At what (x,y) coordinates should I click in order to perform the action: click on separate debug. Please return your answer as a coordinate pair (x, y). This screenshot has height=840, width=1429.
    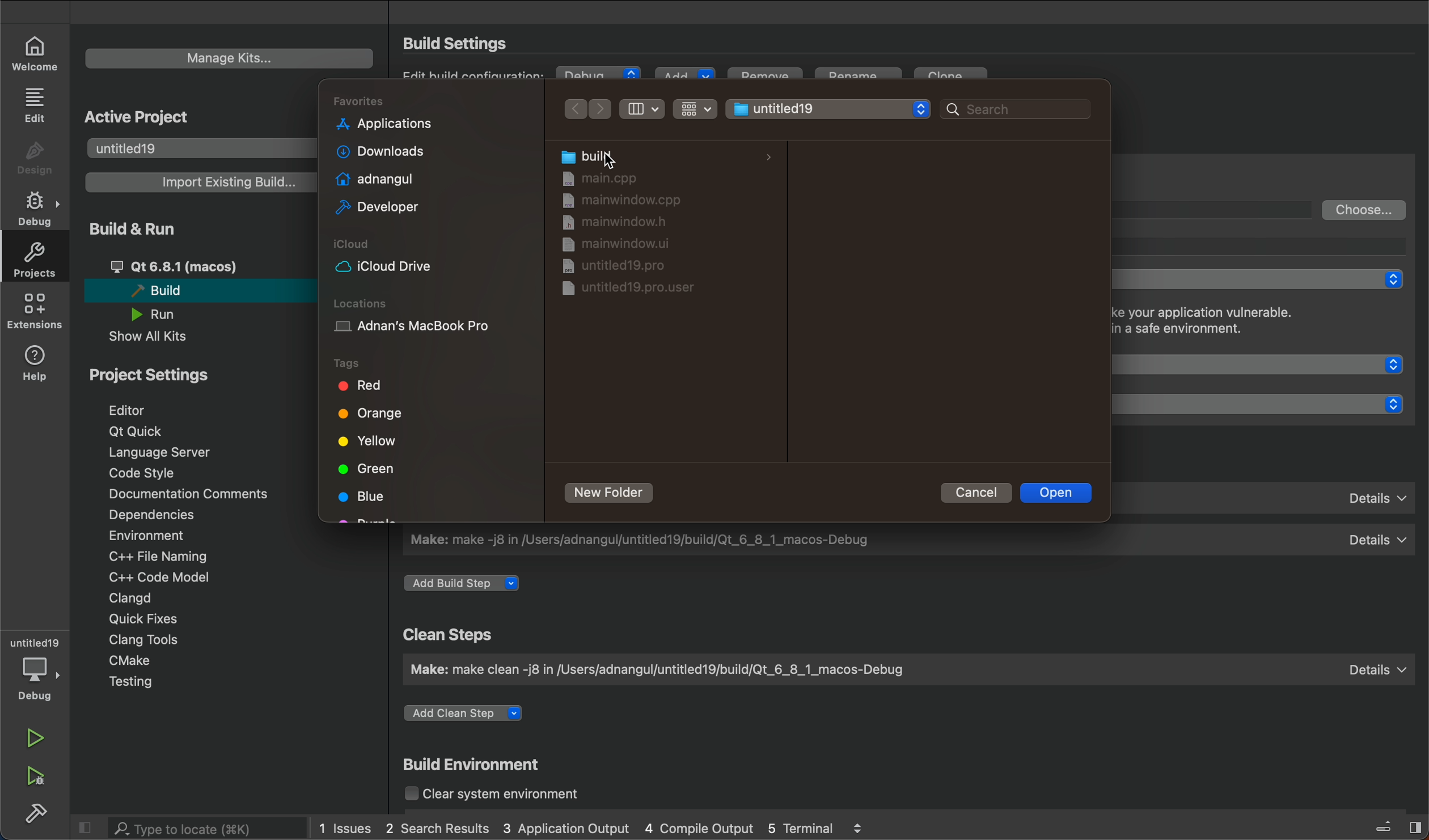
    Looking at the image, I should click on (1263, 279).